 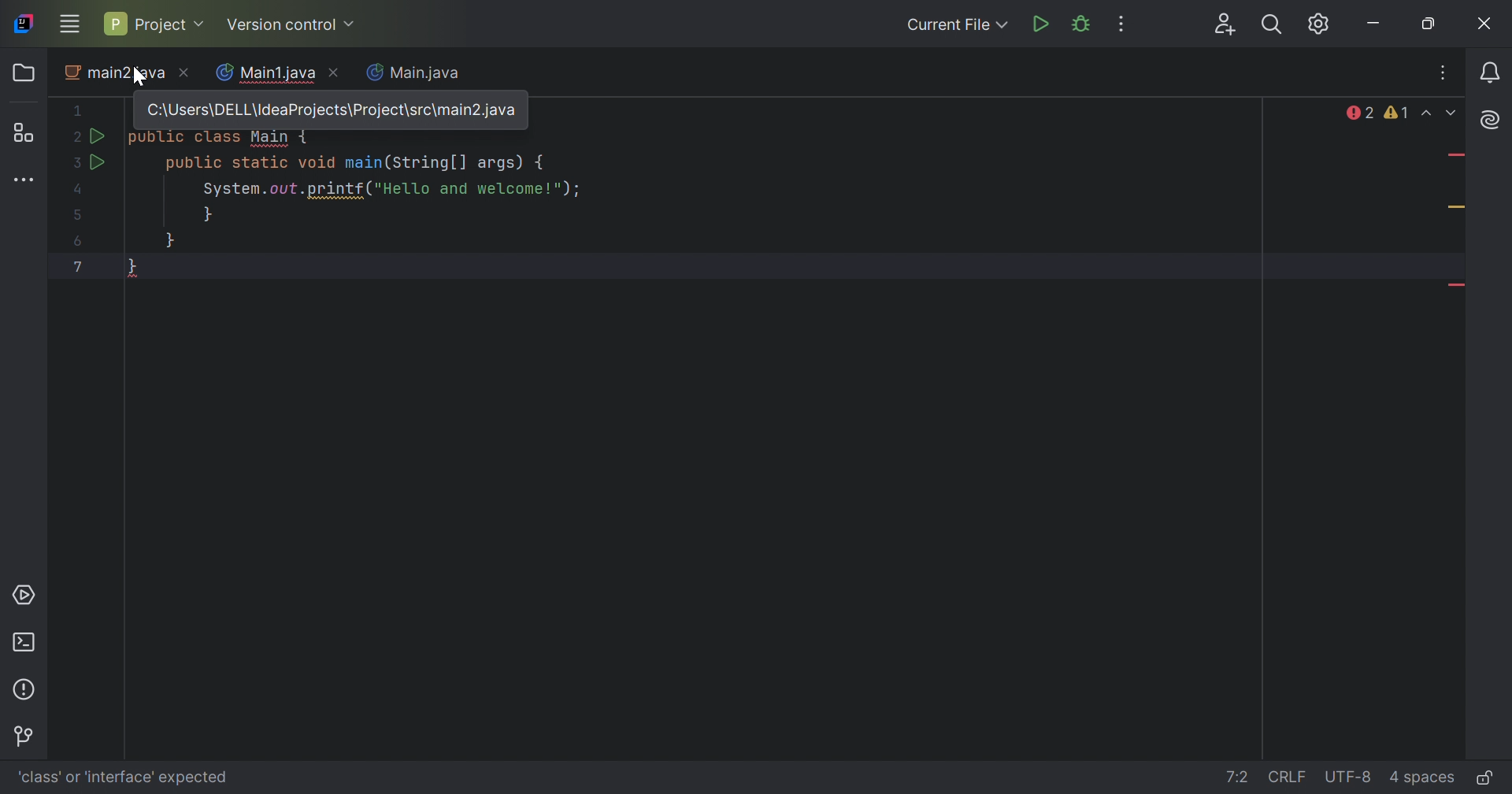 What do you see at coordinates (1377, 24) in the screenshot?
I see `Minimize` at bounding box center [1377, 24].